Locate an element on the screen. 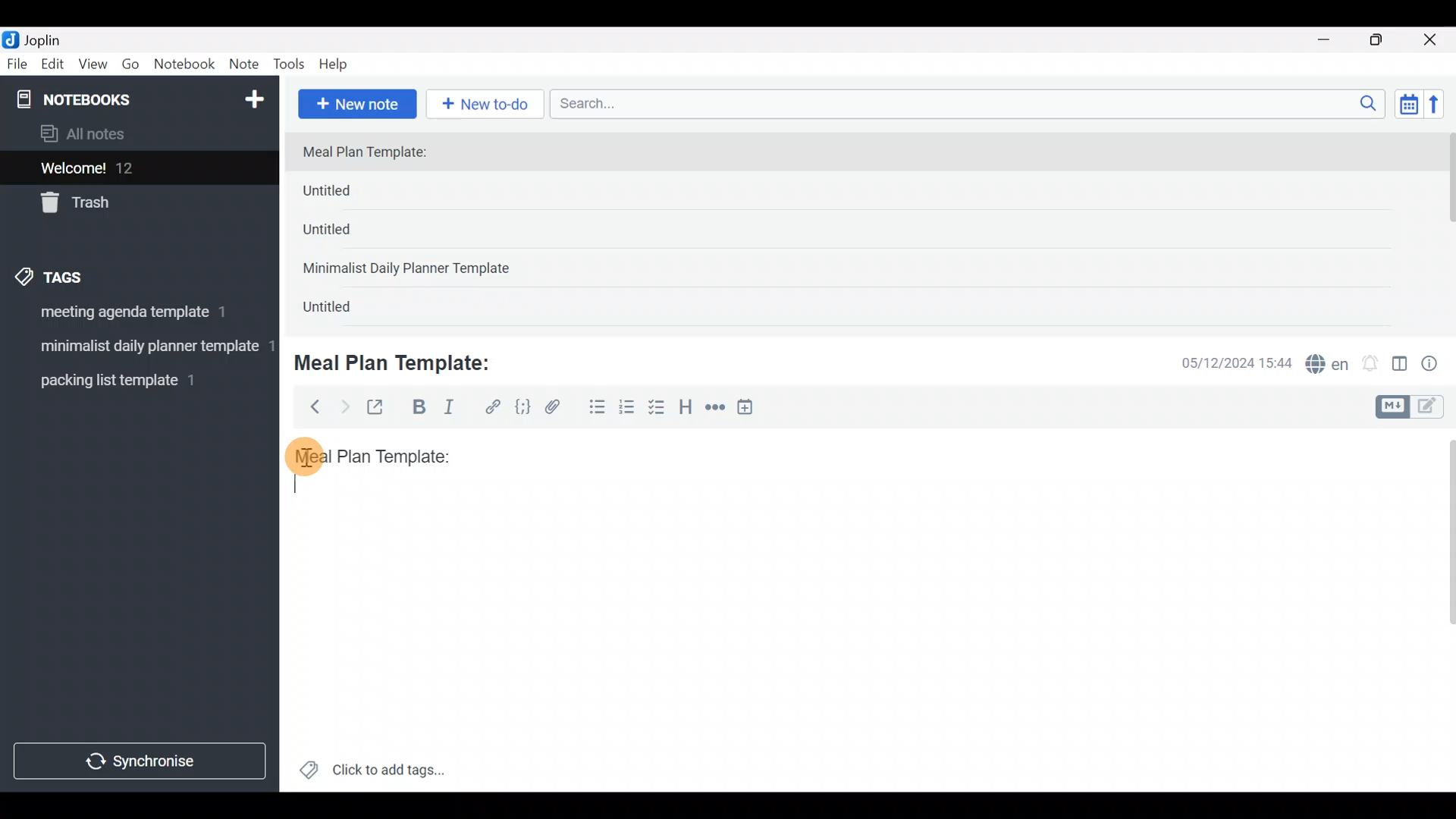 This screenshot has height=819, width=1456. Heading is located at coordinates (686, 409).